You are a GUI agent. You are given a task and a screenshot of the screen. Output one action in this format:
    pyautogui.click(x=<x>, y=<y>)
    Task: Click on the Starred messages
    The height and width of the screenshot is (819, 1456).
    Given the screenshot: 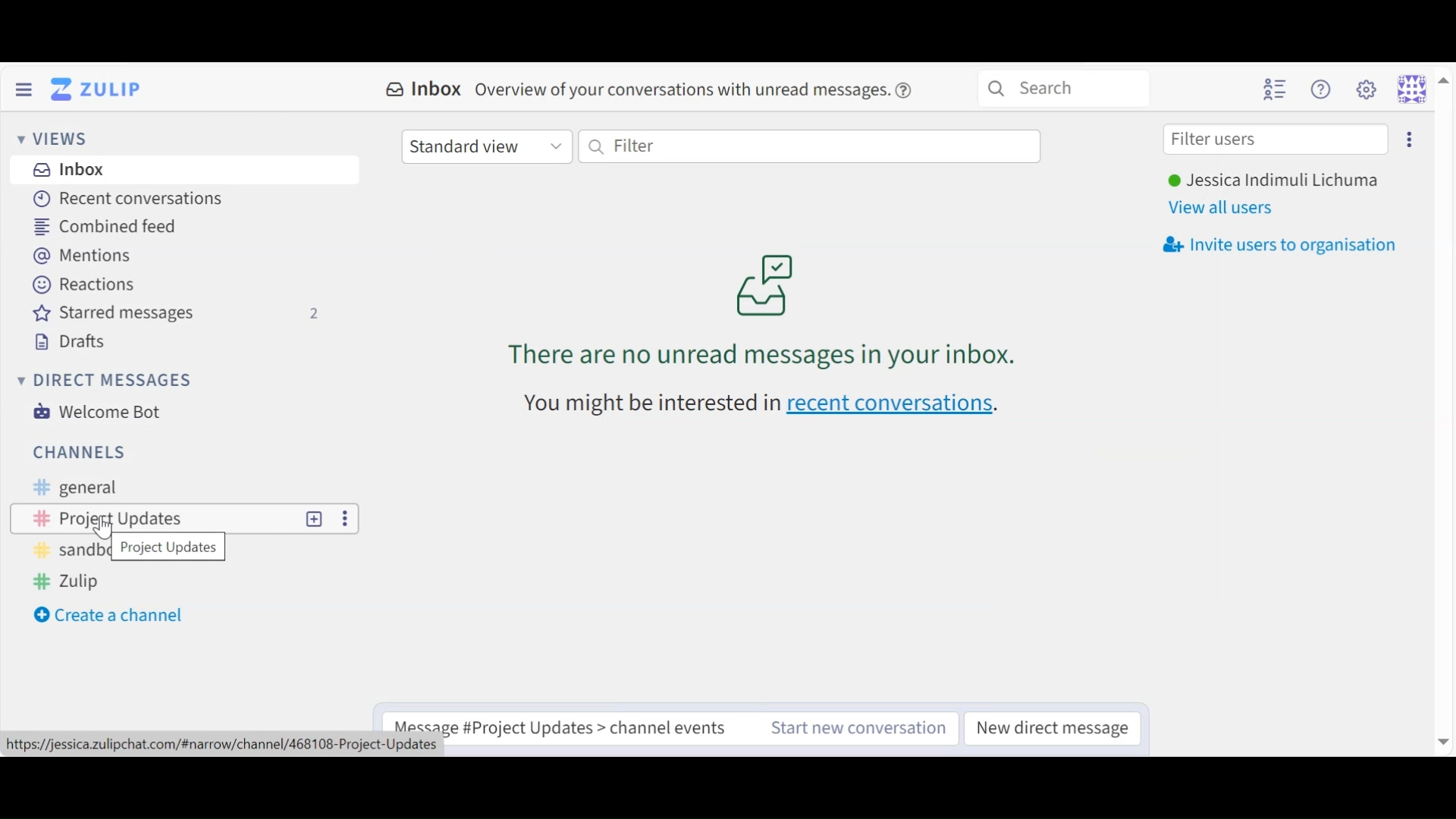 What is the action you would take?
    pyautogui.click(x=176, y=313)
    